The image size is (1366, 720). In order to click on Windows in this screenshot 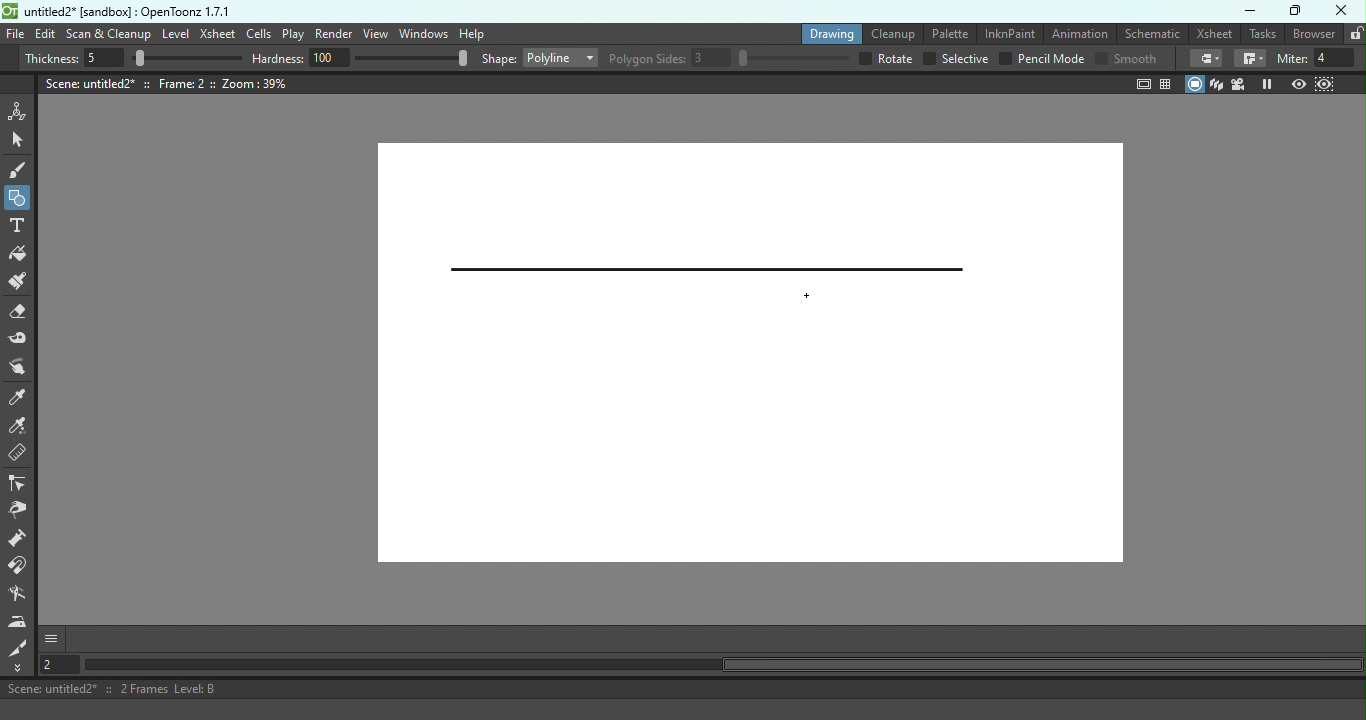, I will do `click(422, 34)`.